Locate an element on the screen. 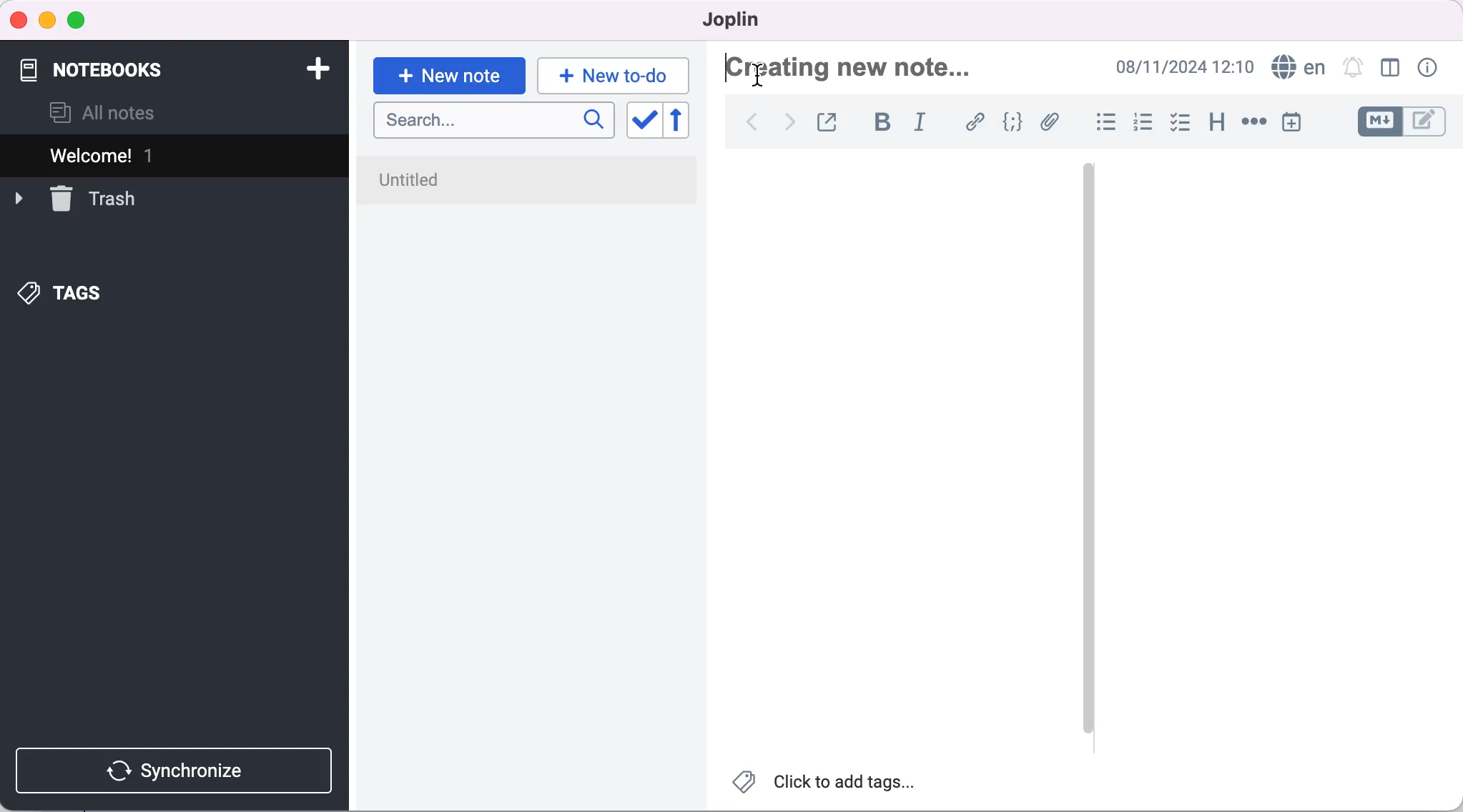 Image resolution: width=1463 pixels, height=812 pixels. toggle editors is located at coordinates (1407, 124).